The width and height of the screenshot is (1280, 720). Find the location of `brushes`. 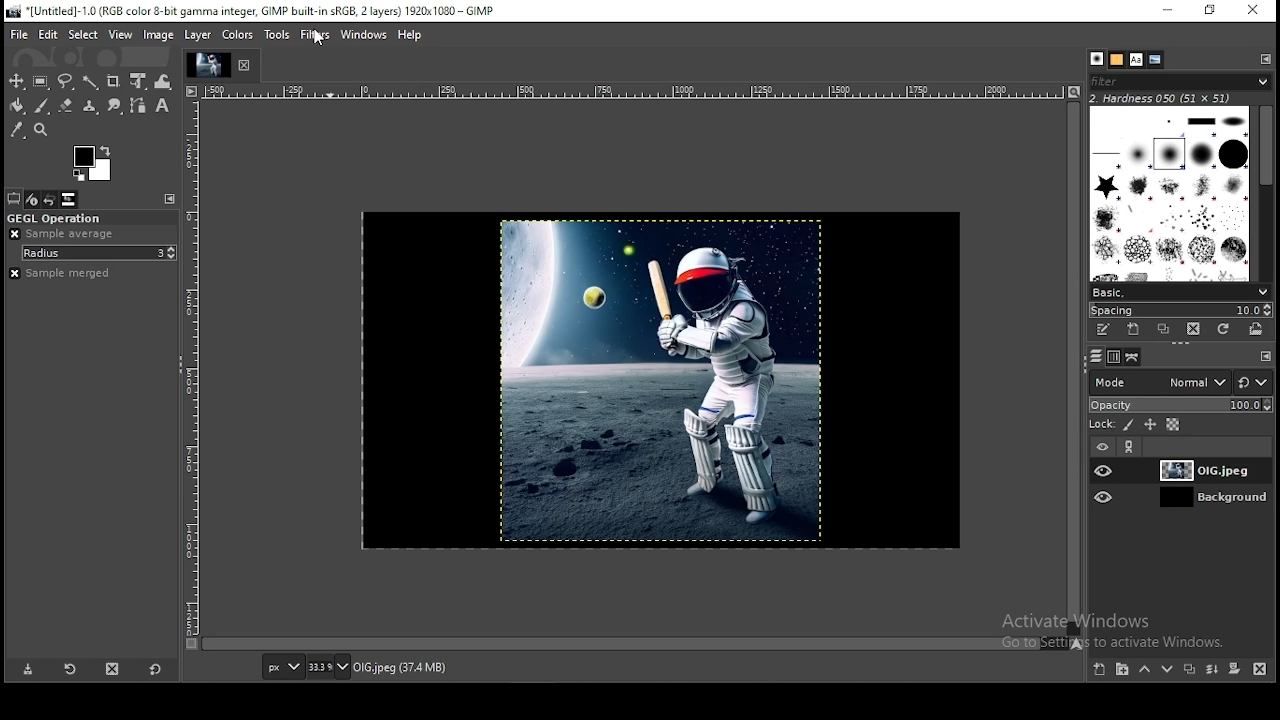

brushes is located at coordinates (1098, 58).